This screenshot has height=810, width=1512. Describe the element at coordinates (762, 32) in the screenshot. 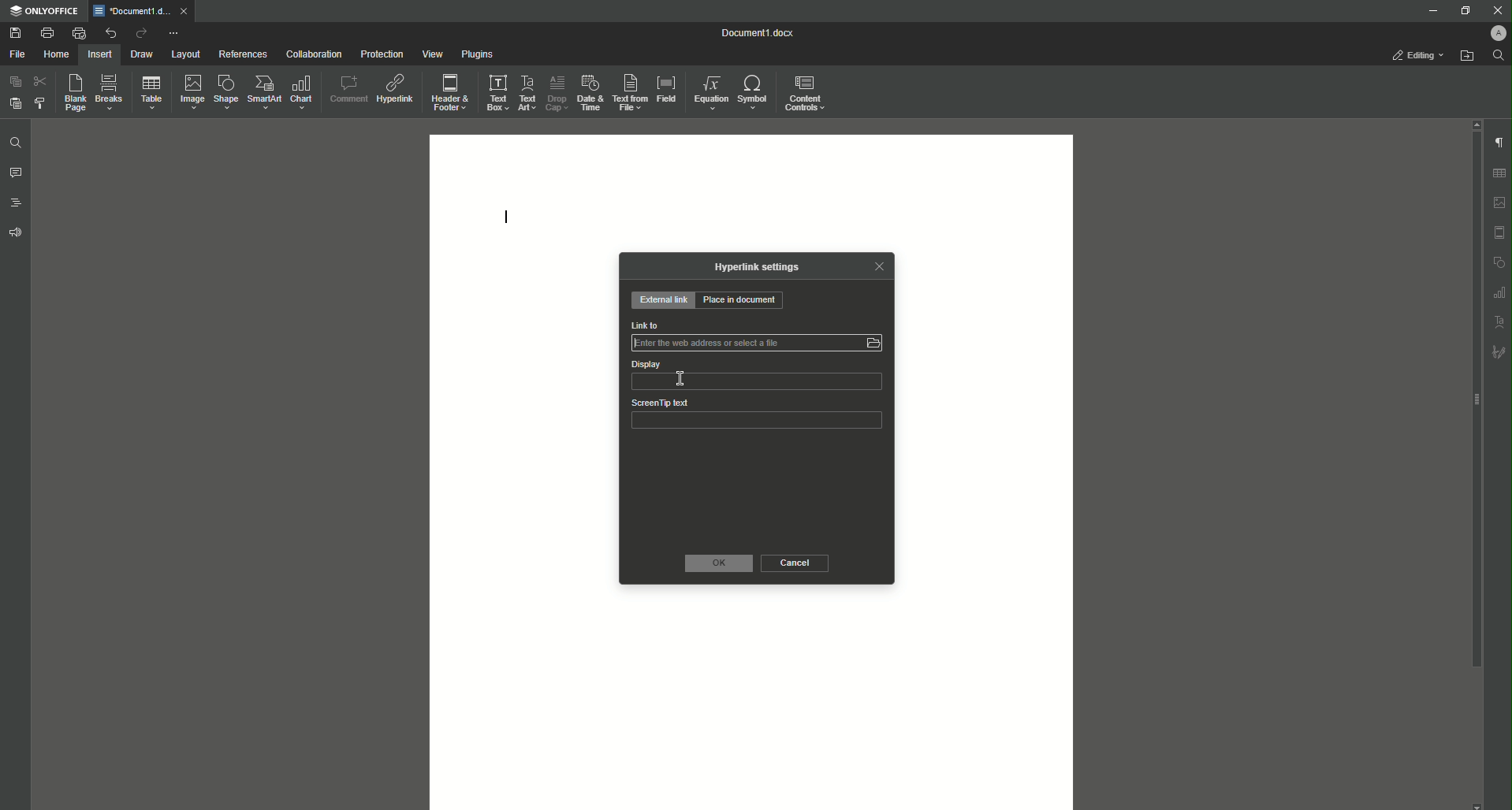

I see `Document1.docx` at that location.